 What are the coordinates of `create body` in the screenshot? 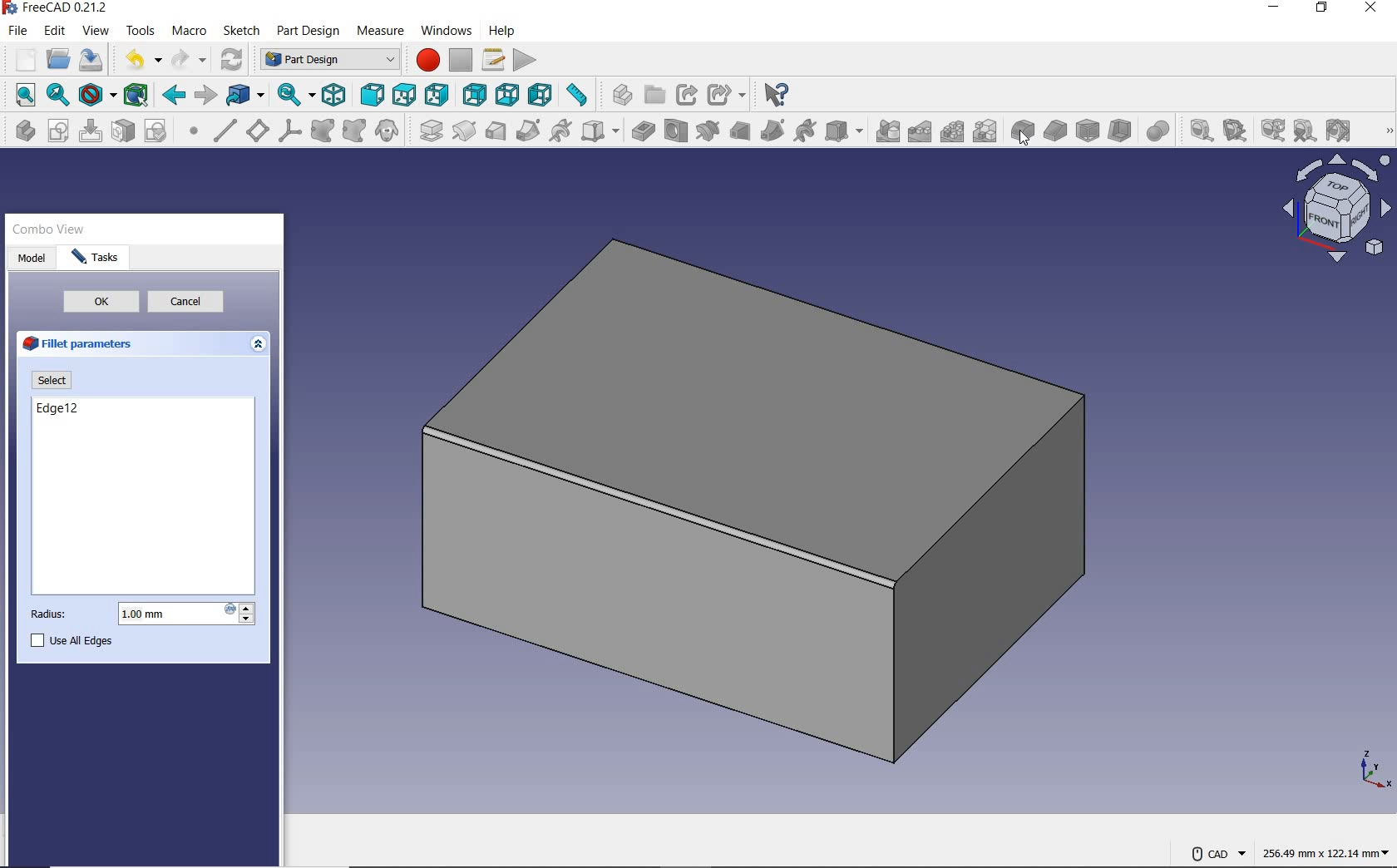 It's located at (21, 131).